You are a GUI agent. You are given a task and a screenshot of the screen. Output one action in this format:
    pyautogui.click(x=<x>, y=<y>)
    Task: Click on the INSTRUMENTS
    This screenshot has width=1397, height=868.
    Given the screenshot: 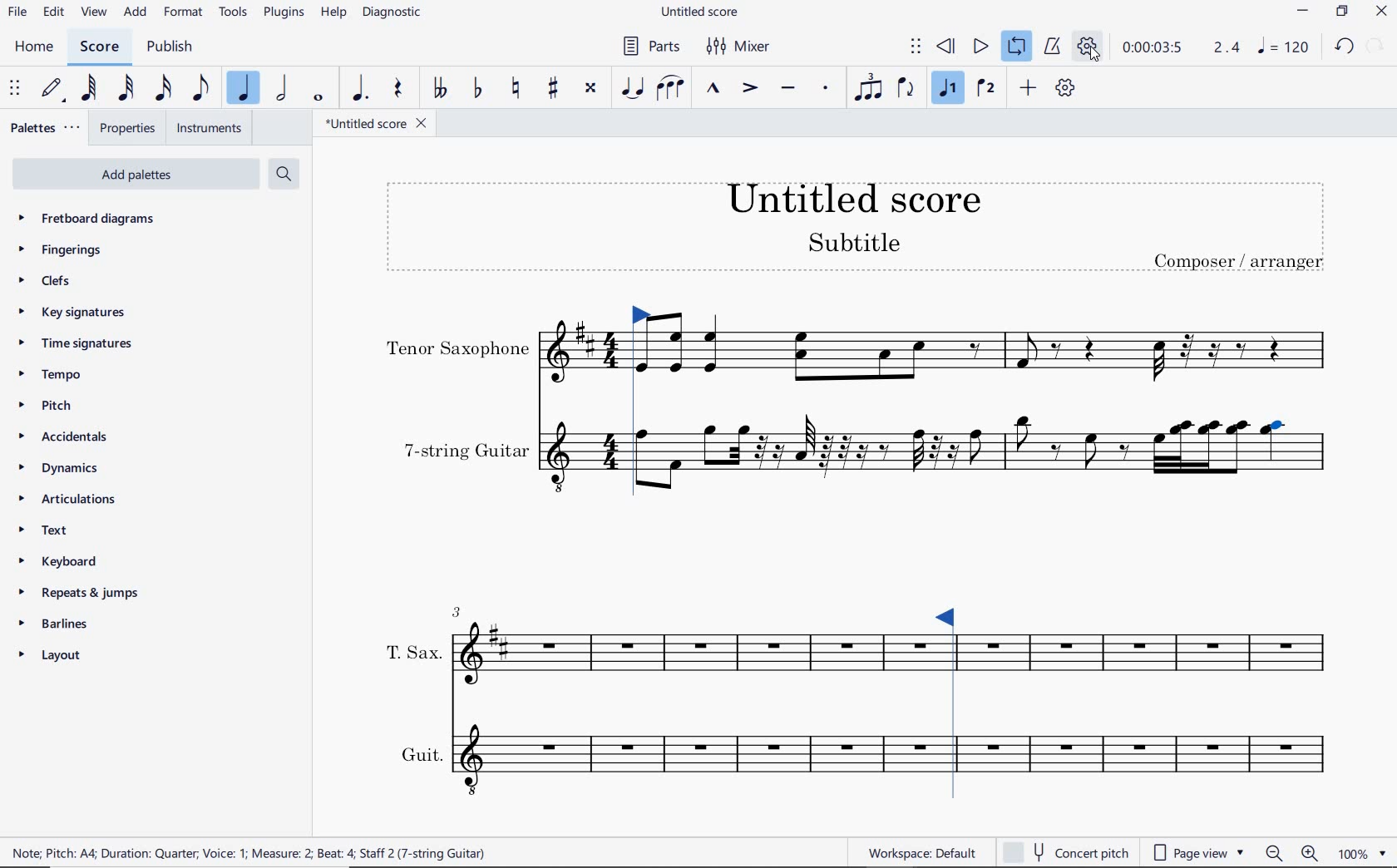 What is the action you would take?
    pyautogui.click(x=212, y=130)
    